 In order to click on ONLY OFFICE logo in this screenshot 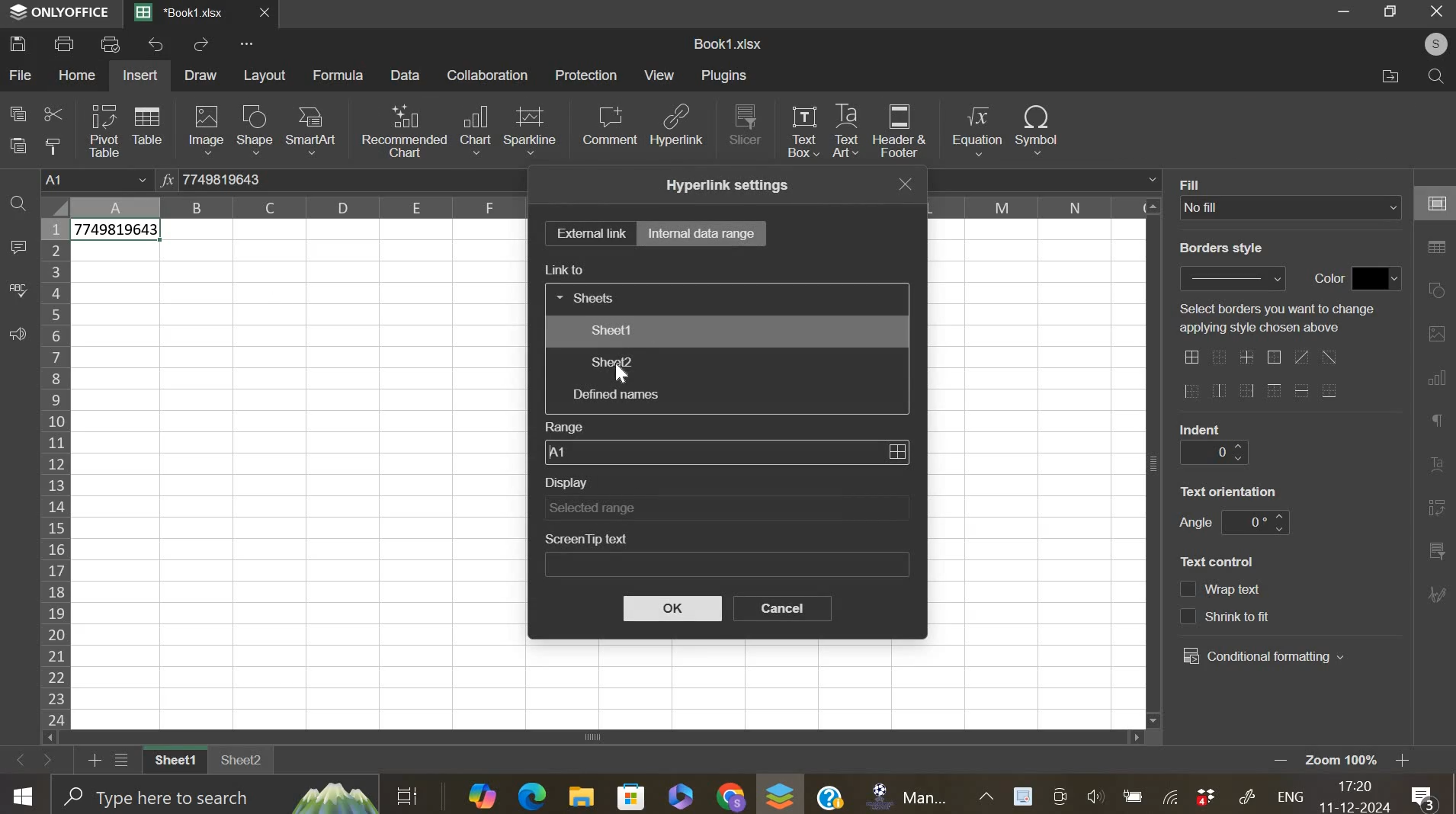, I will do `click(60, 11)`.